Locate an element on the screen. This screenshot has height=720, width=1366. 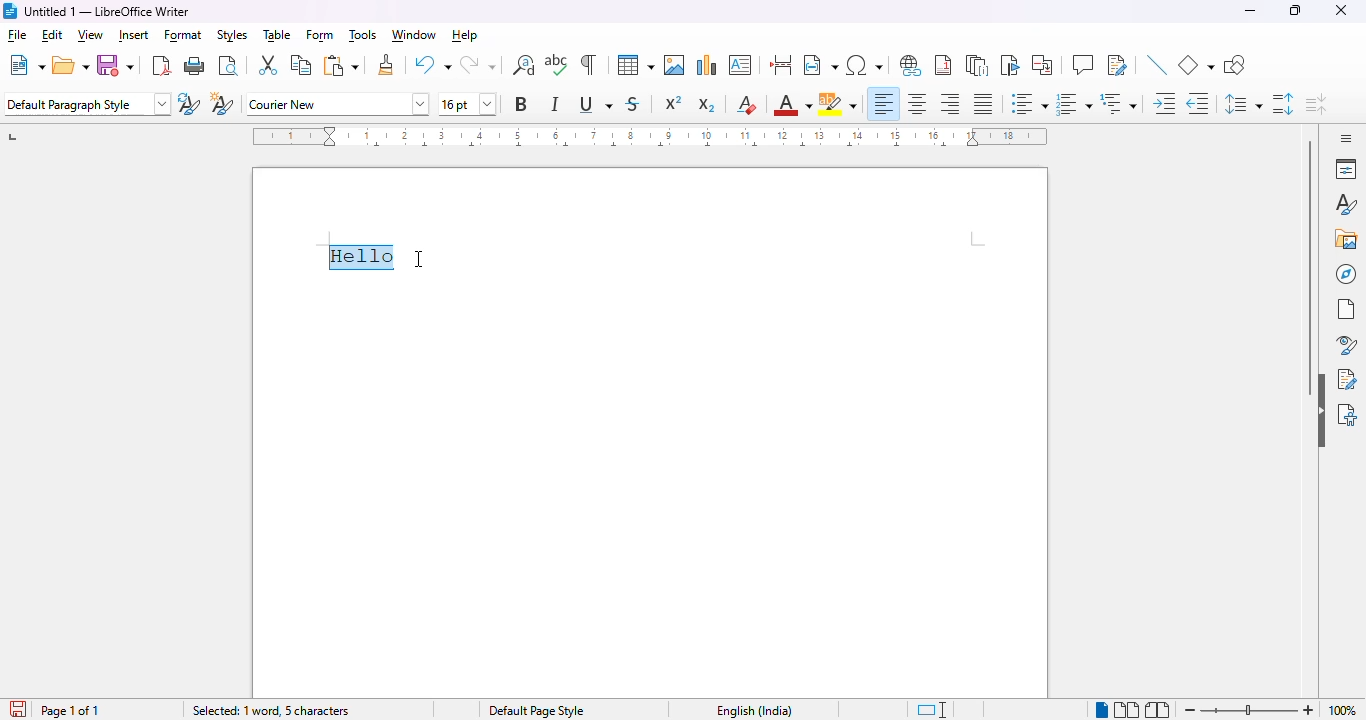
vertical scroll bar is located at coordinates (1310, 270).